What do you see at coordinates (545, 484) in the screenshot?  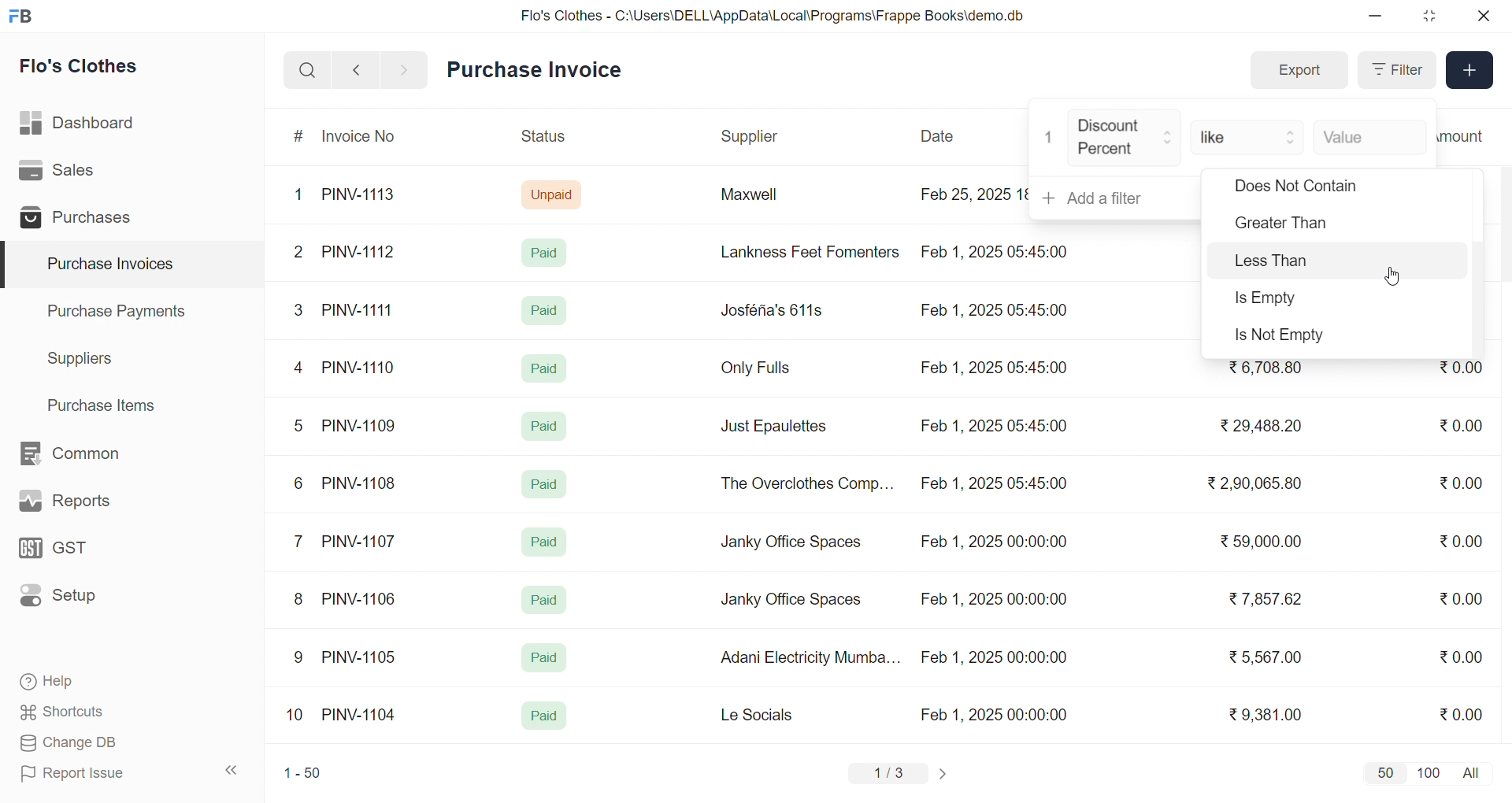 I see `Paid` at bounding box center [545, 484].